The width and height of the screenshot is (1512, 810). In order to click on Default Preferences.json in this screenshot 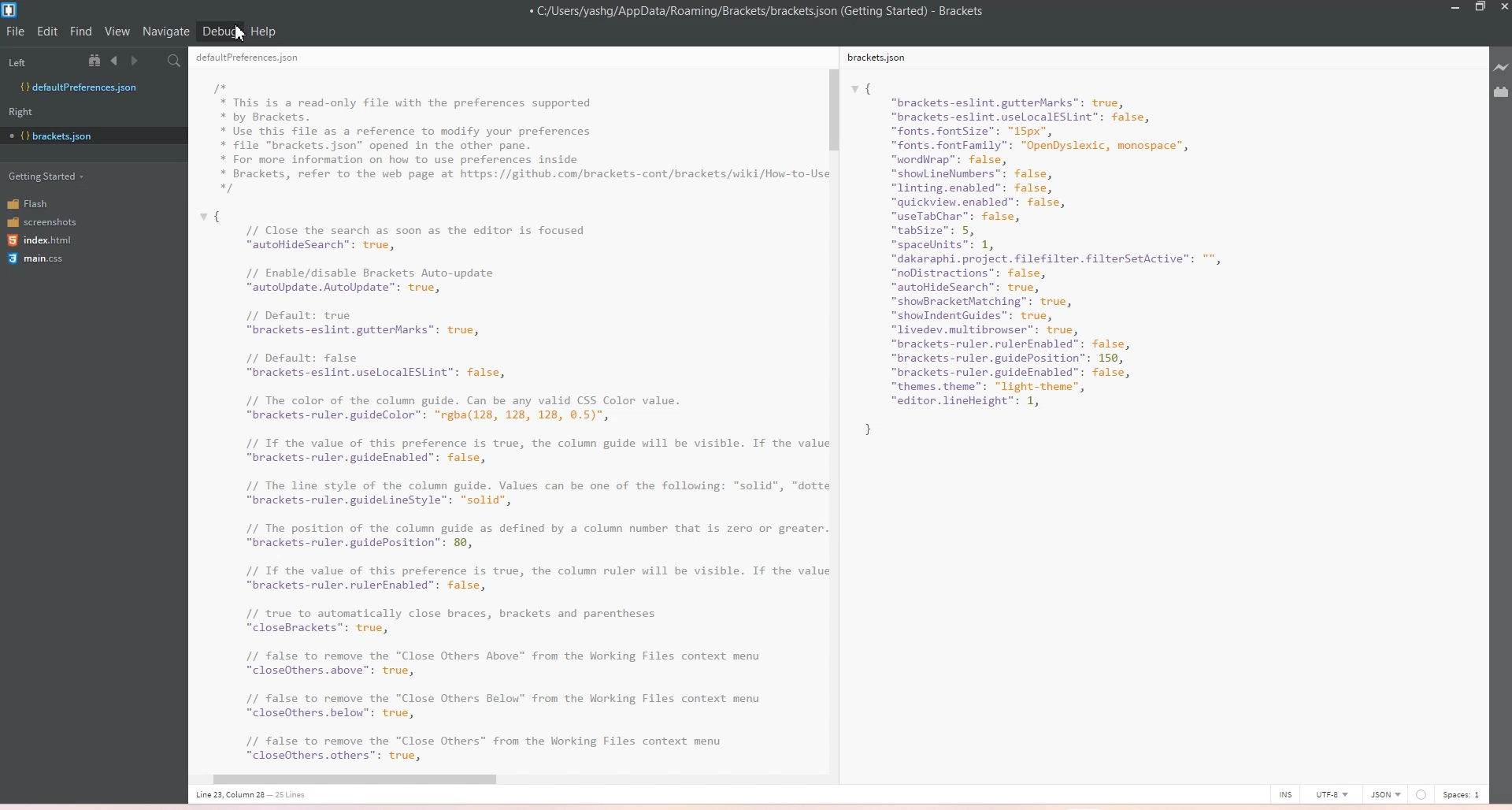, I will do `click(78, 87)`.